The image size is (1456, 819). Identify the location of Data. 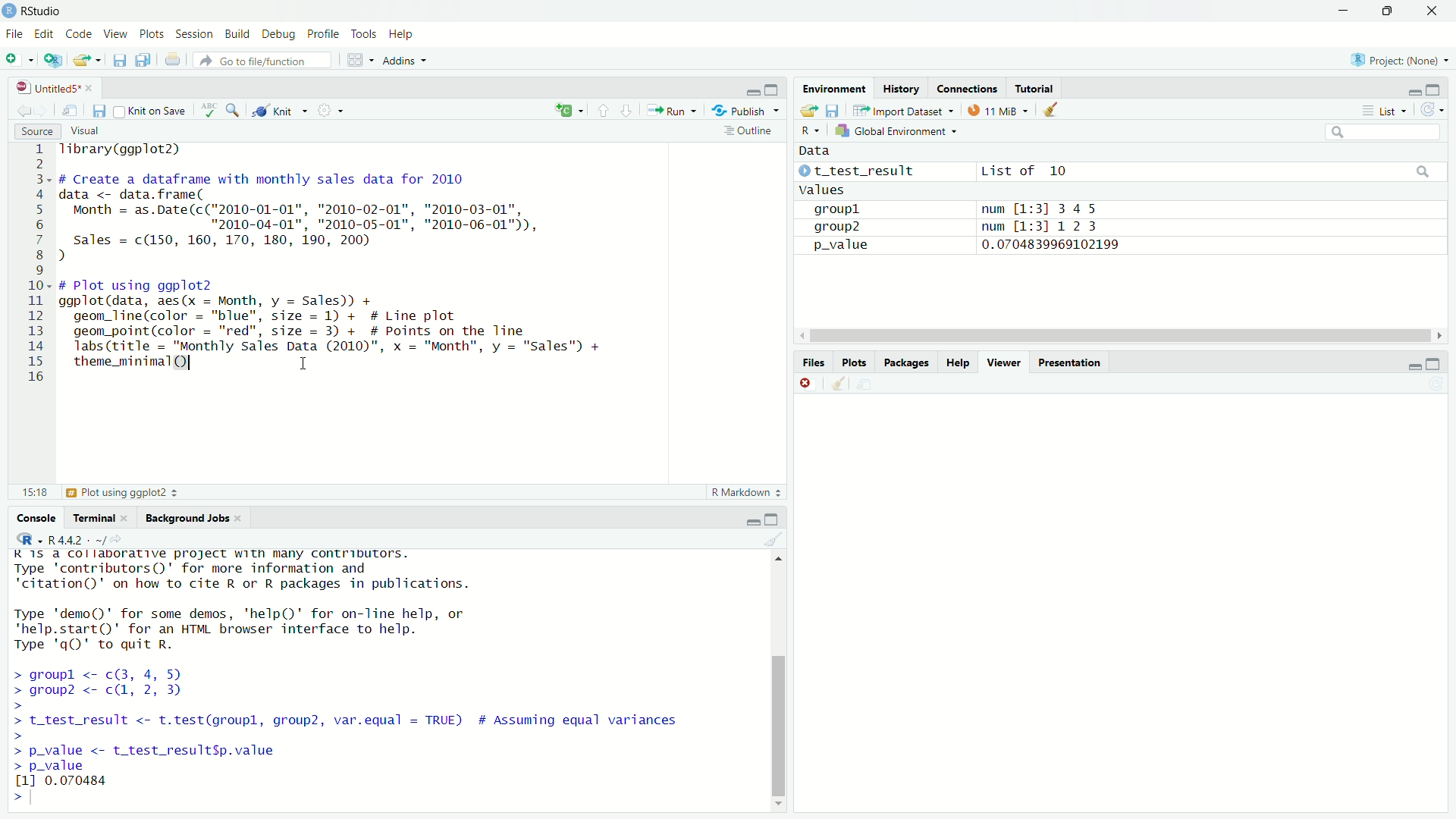
(819, 151).